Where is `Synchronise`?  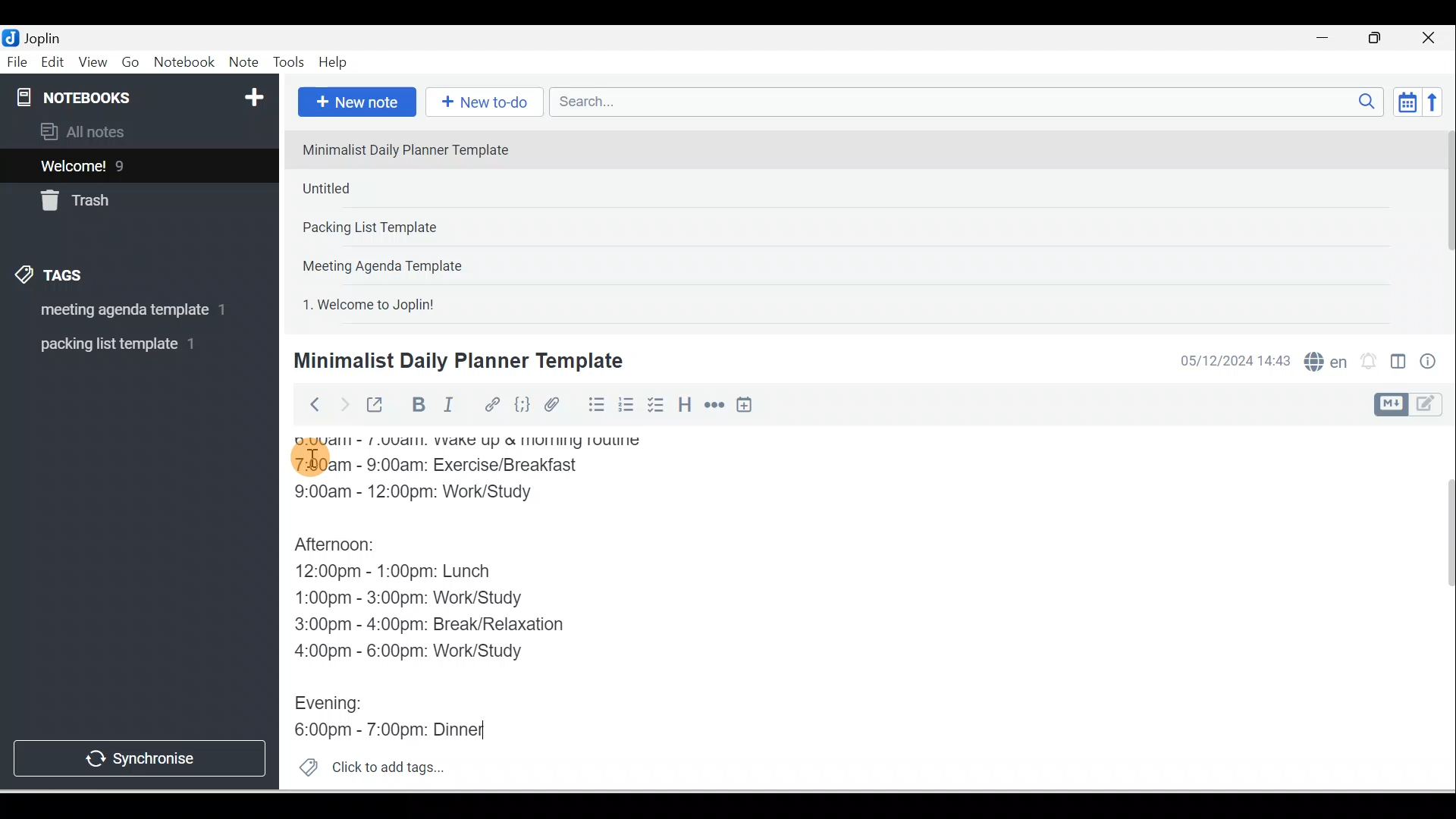
Synchronise is located at coordinates (138, 755).